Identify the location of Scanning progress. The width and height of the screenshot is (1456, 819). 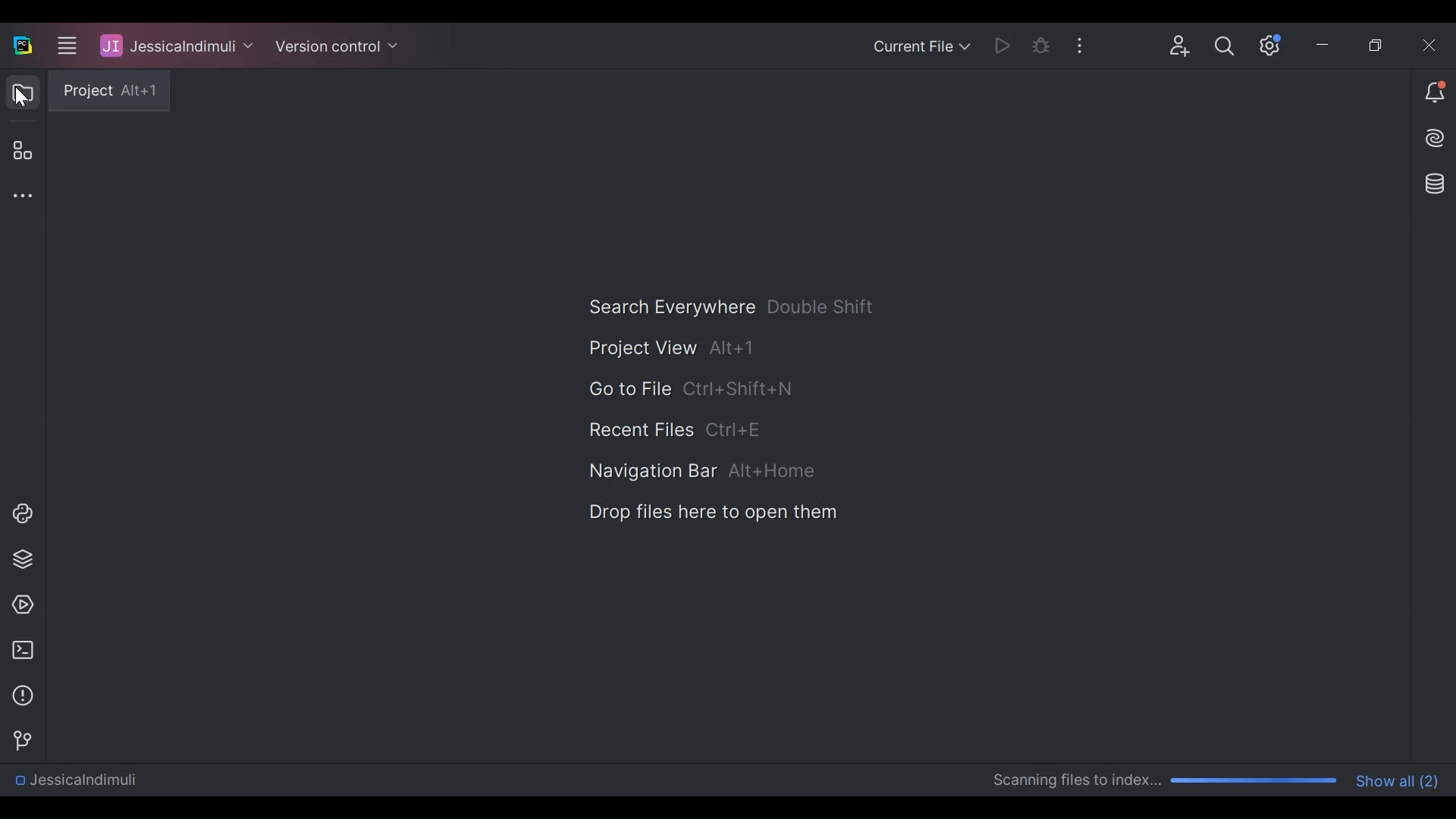
(1168, 780).